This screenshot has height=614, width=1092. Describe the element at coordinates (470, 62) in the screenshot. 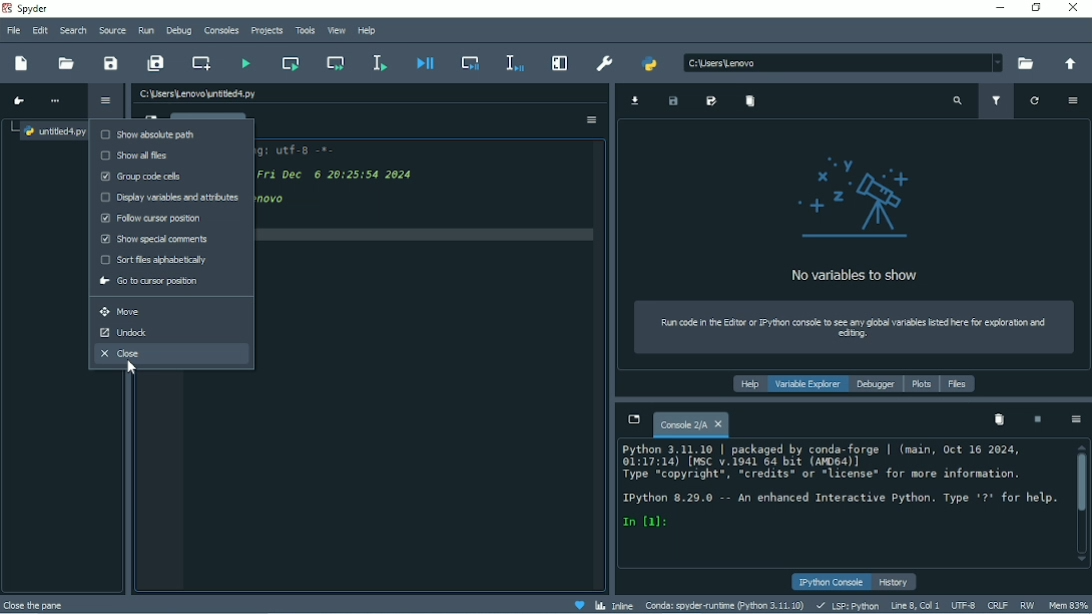

I see `Debug cell` at that location.